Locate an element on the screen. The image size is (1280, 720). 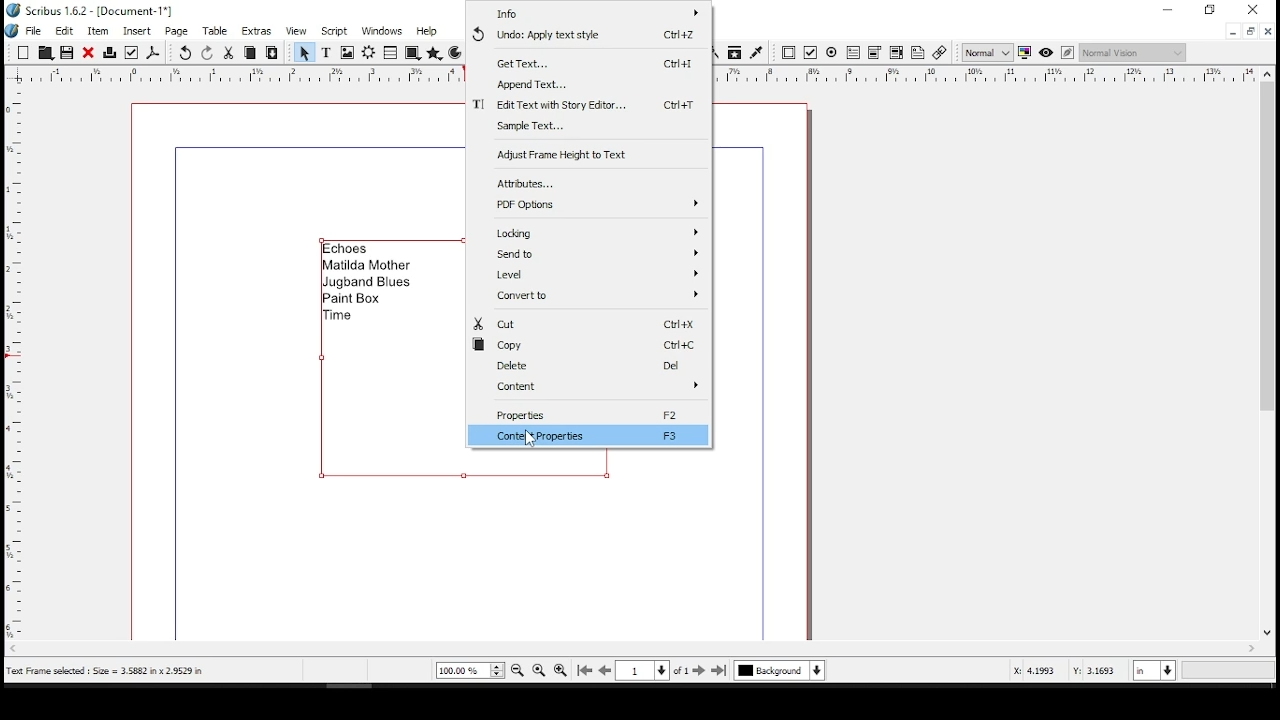
zoom in is located at coordinates (559, 672).